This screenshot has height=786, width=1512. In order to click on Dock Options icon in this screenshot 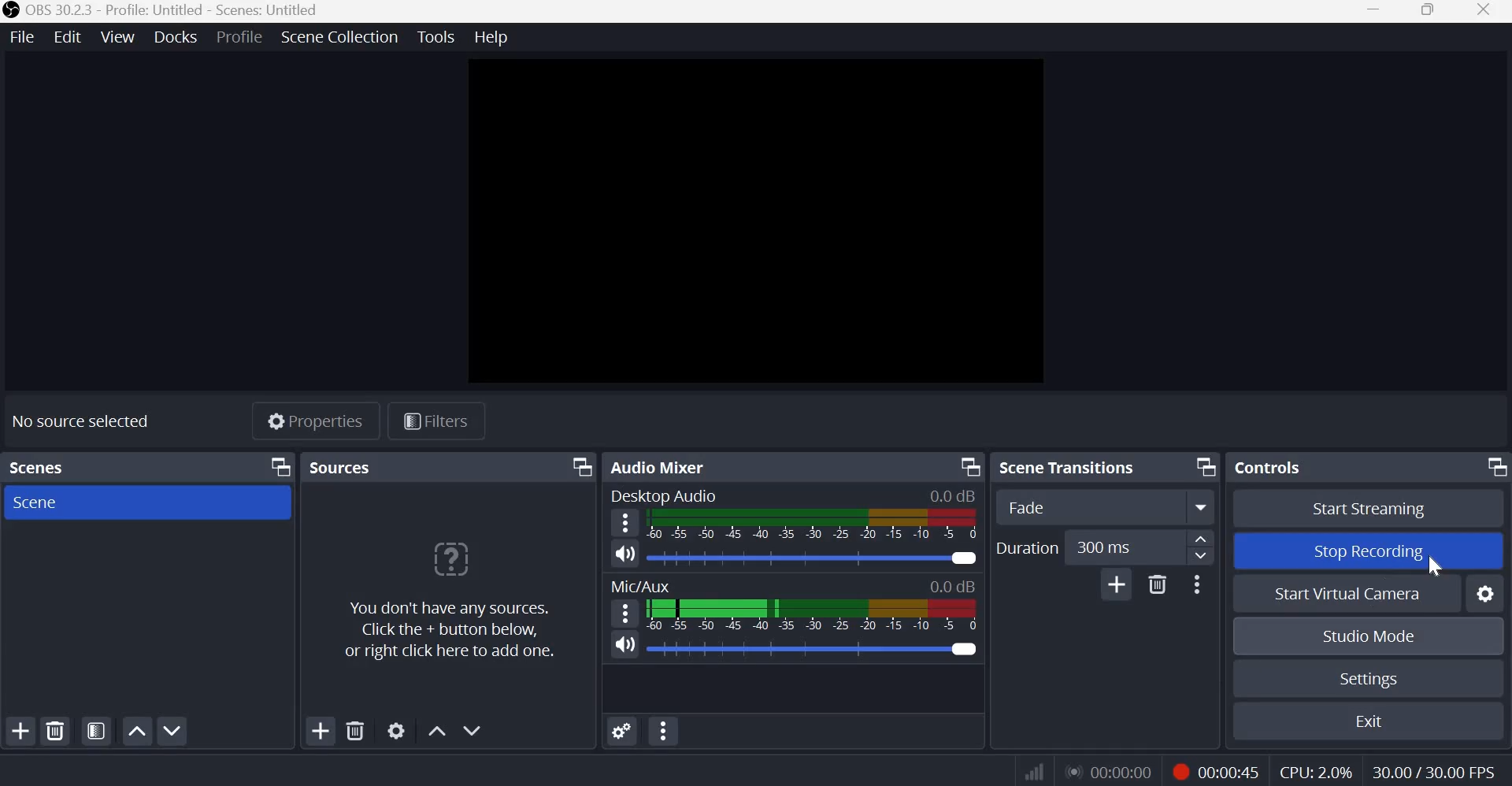, I will do `click(968, 466)`.